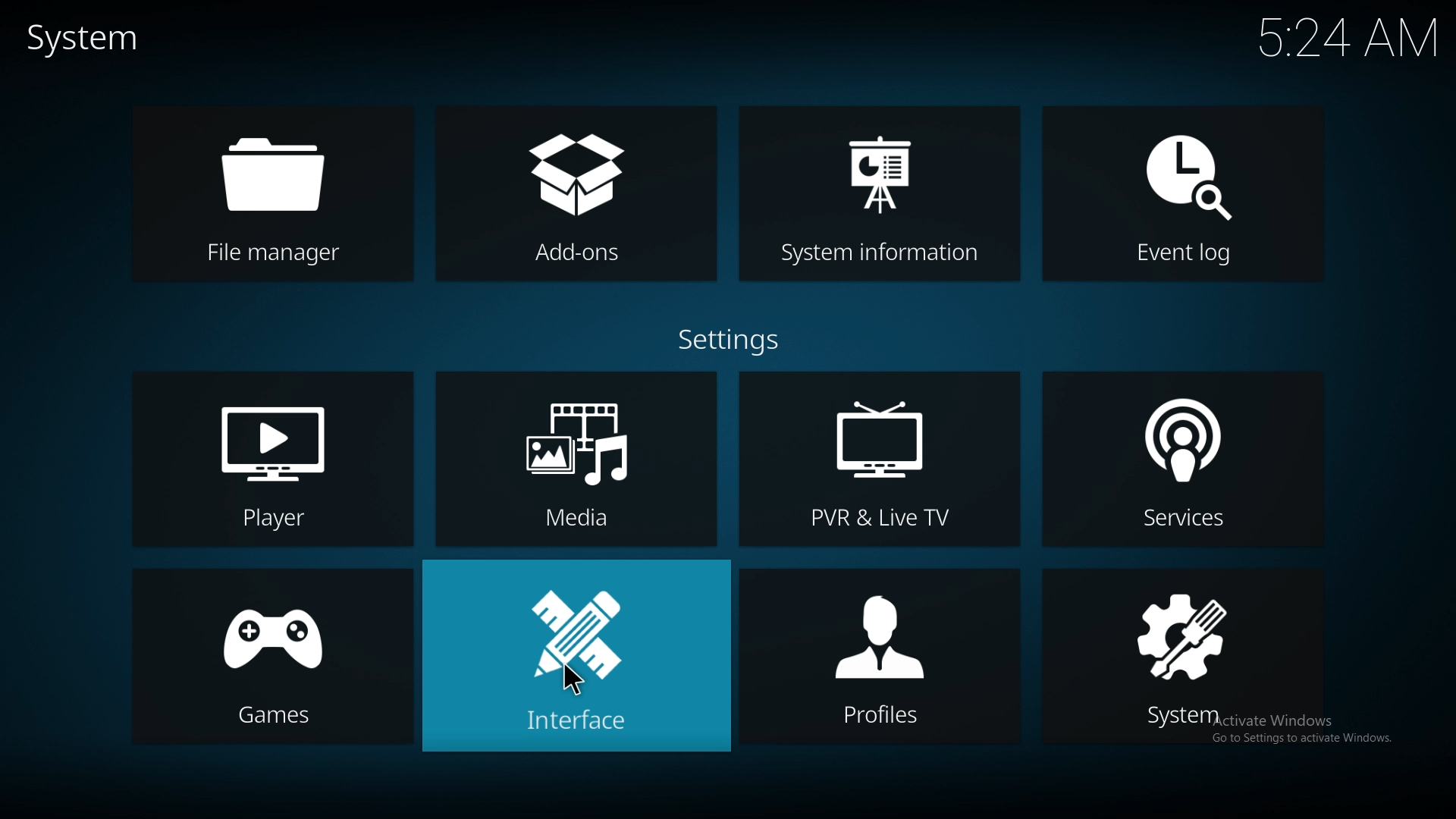 The width and height of the screenshot is (1456, 819). Describe the element at coordinates (572, 193) in the screenshot. I see `add ons` at that location.